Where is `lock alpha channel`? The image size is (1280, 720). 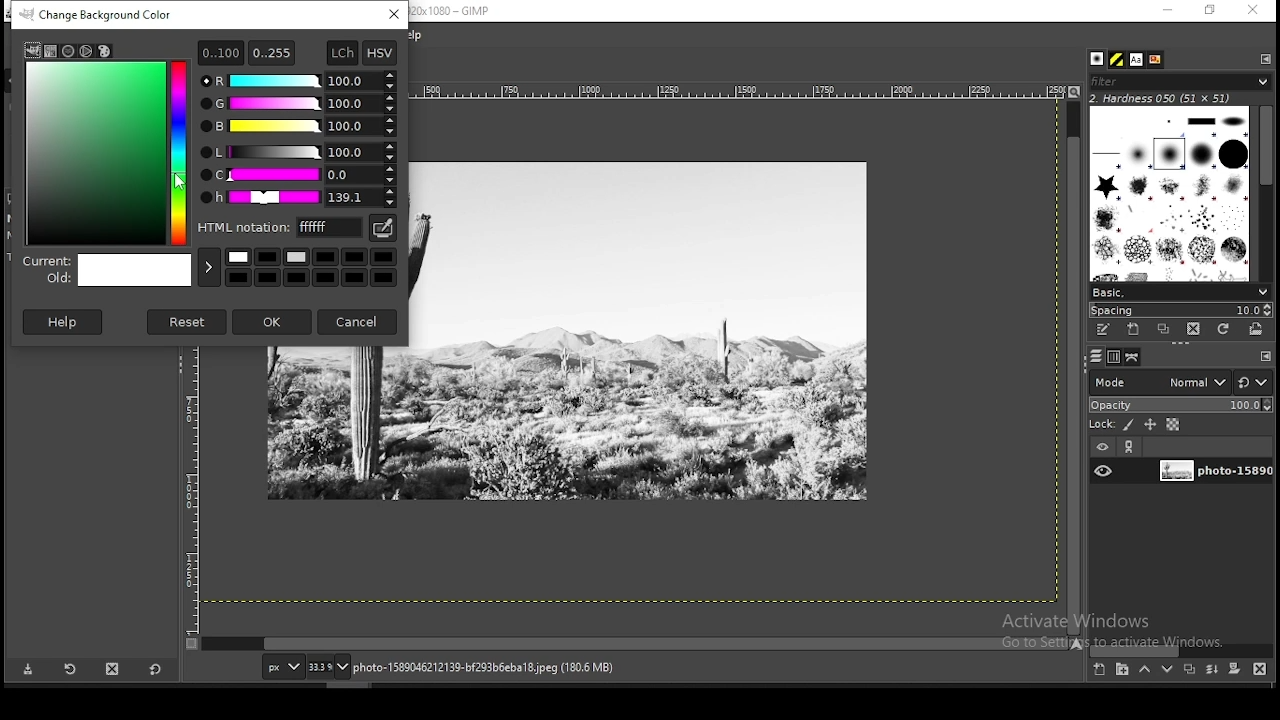 lock alpha channel is located at coordinates (1174, 424).